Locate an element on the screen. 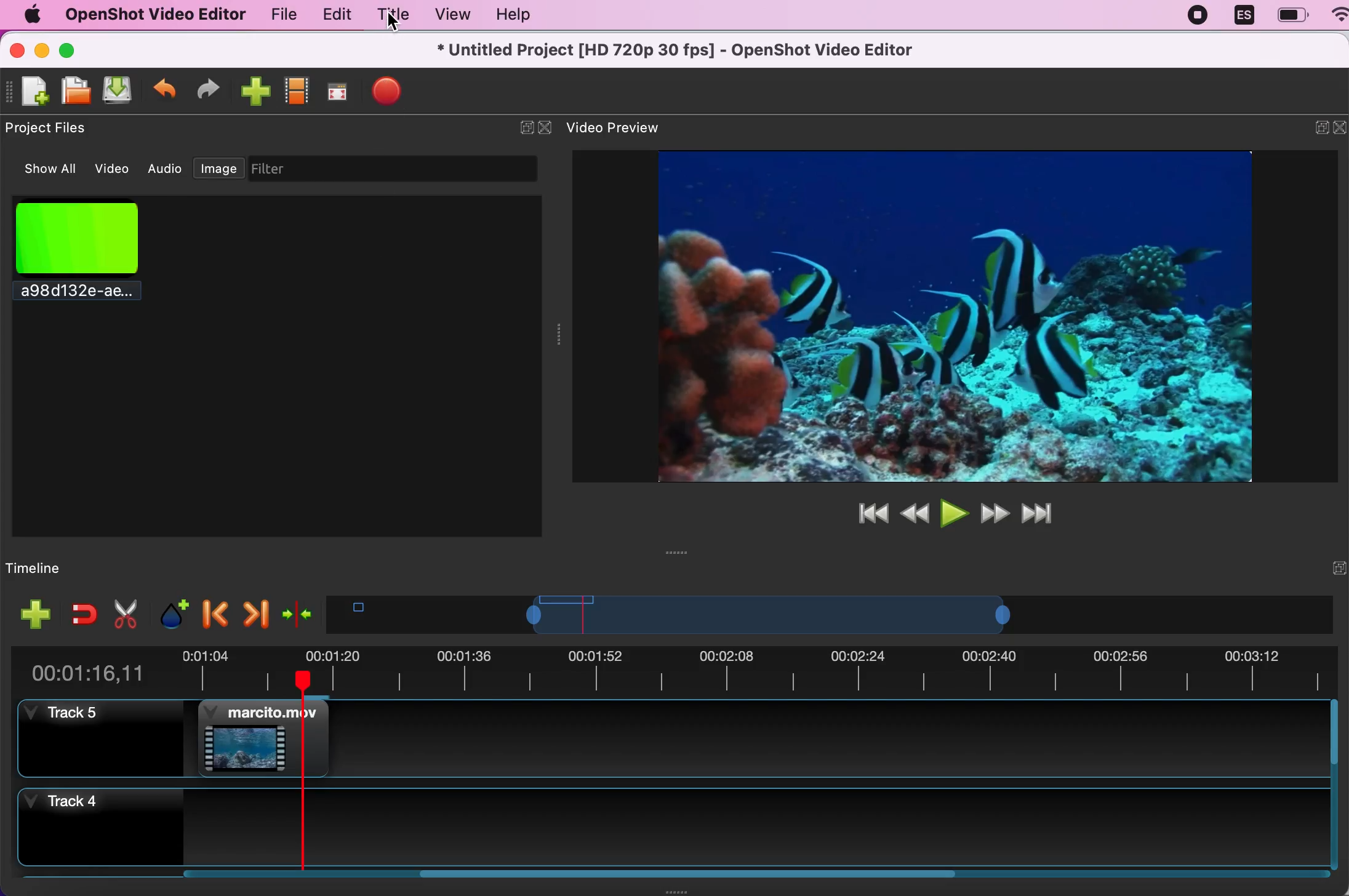 This screenshot has height=896, width=1349. video preview is located at coordinates (623, 129).